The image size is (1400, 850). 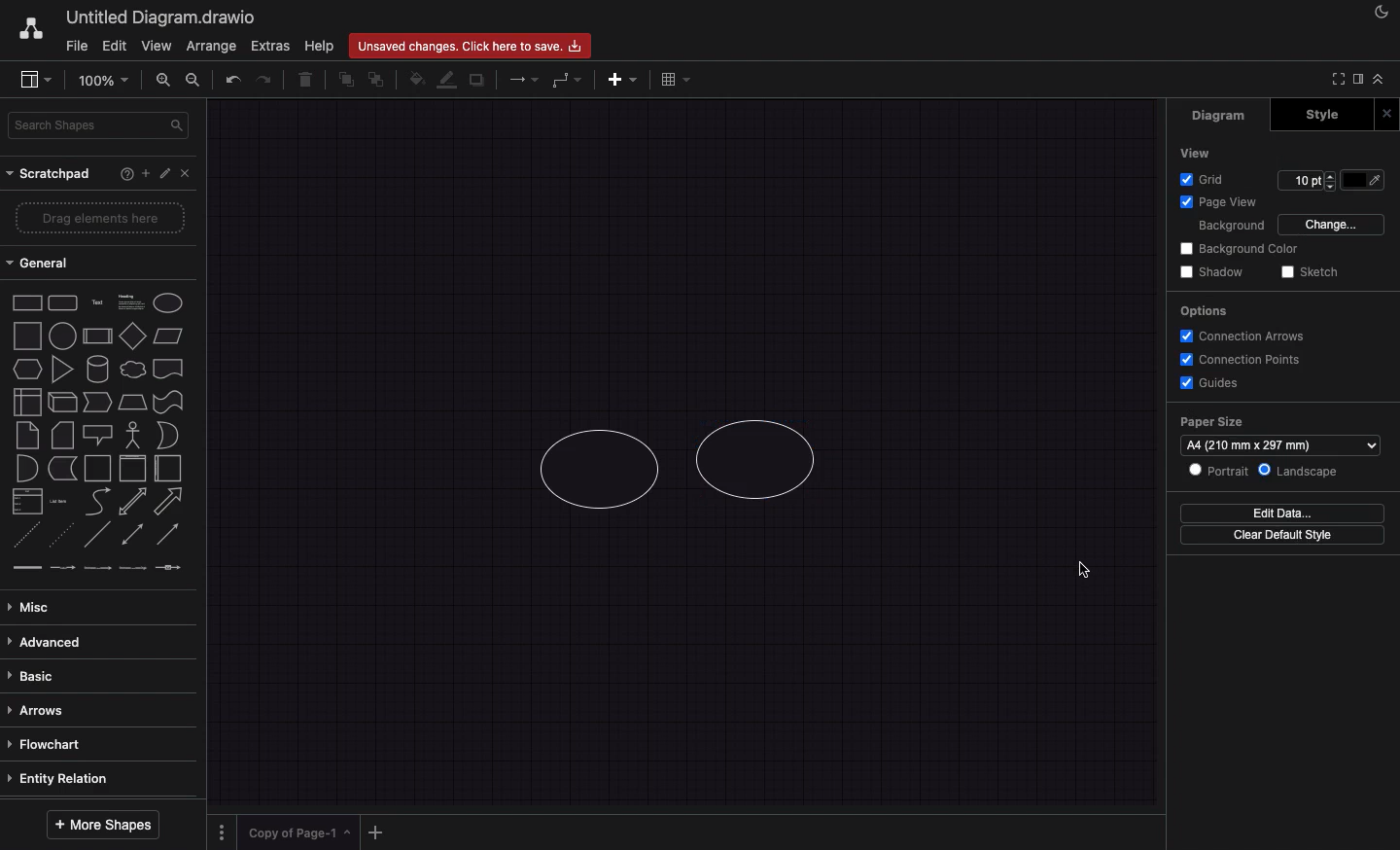 I want to click on connection, so click(x=521, y=80).